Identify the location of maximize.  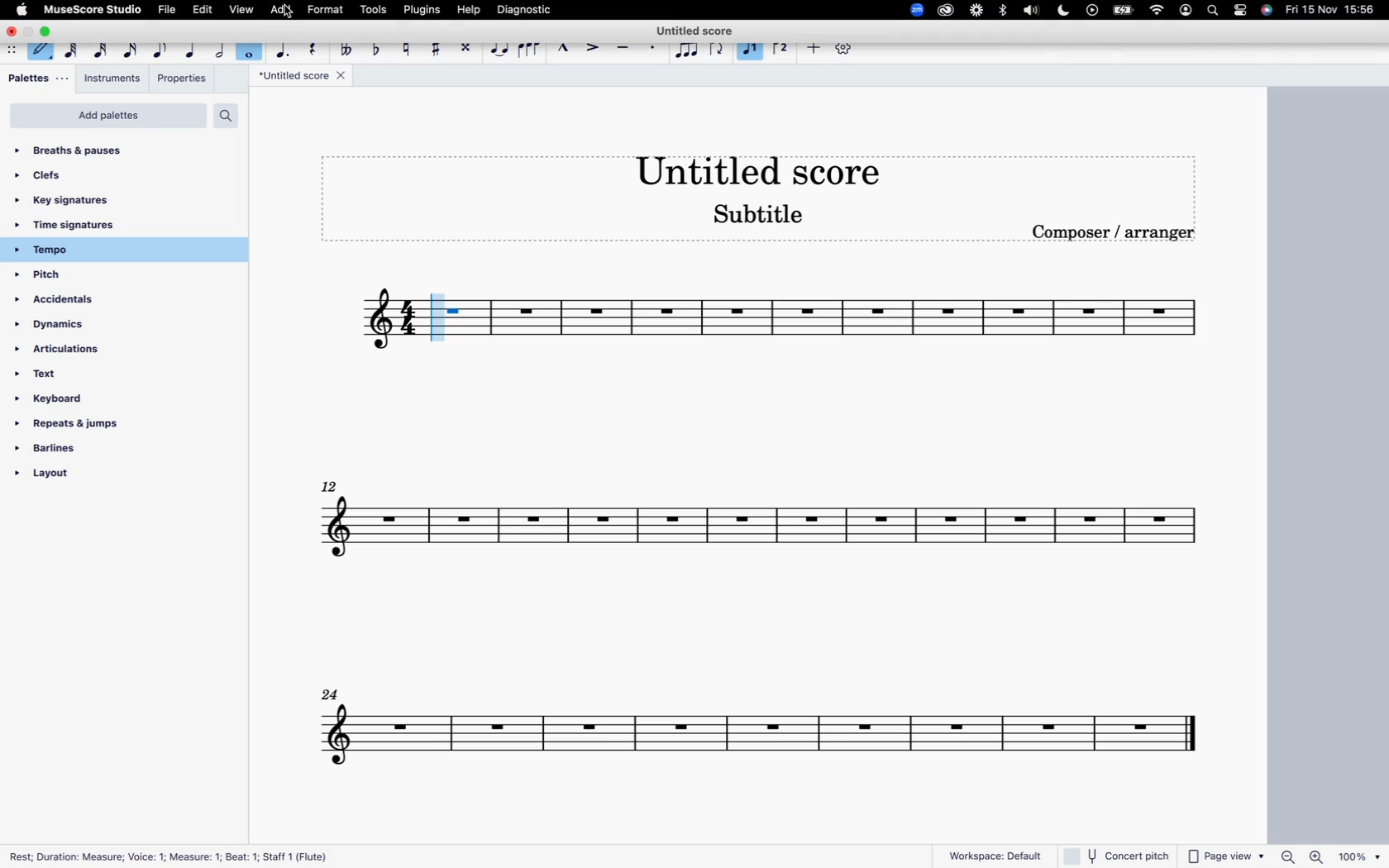
(49, 31).